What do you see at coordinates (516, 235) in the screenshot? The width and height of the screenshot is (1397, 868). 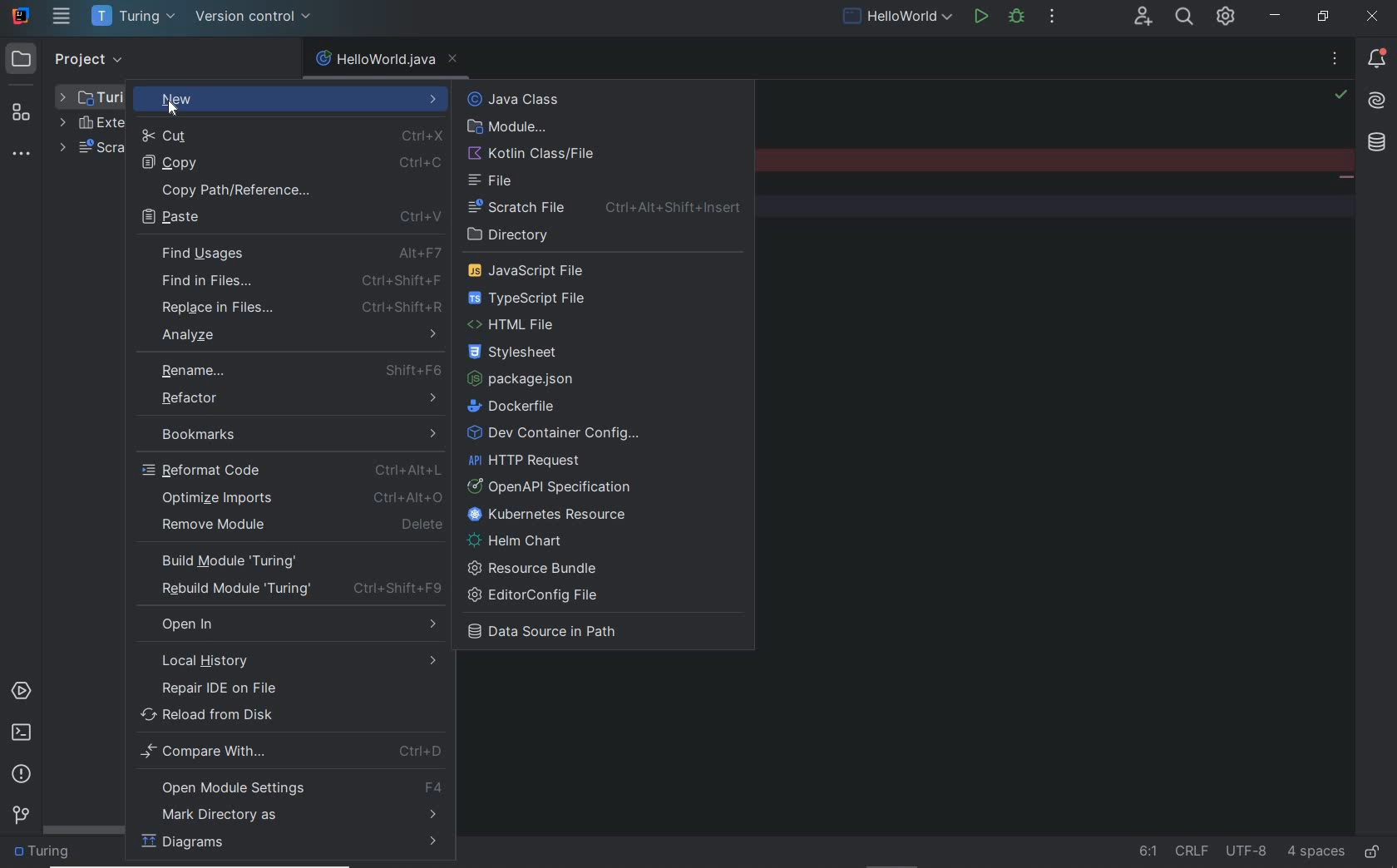 I see `directory` at bounding box center [516, 235].